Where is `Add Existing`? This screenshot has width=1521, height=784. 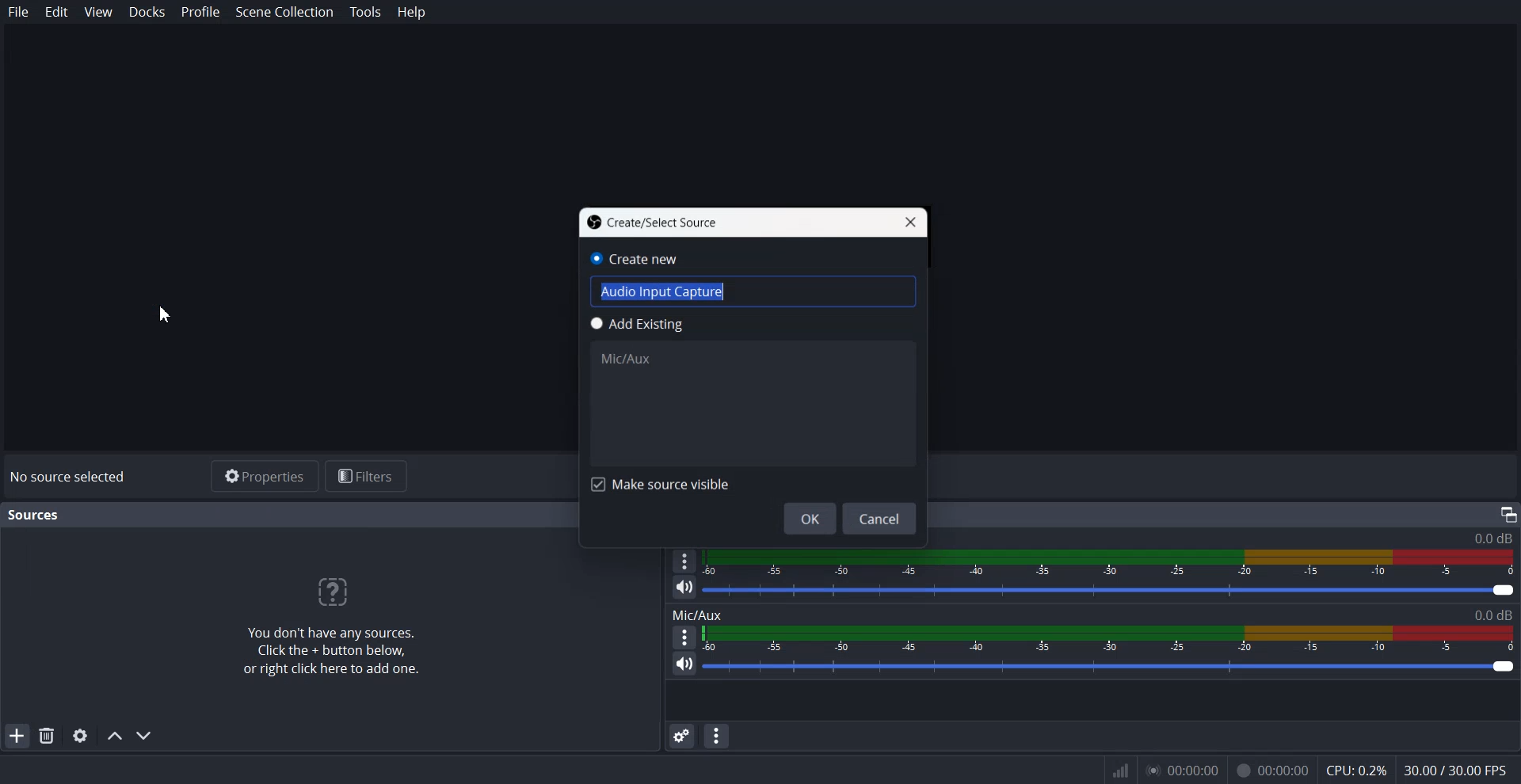
Add Existing is located at coordinates (740, 324).